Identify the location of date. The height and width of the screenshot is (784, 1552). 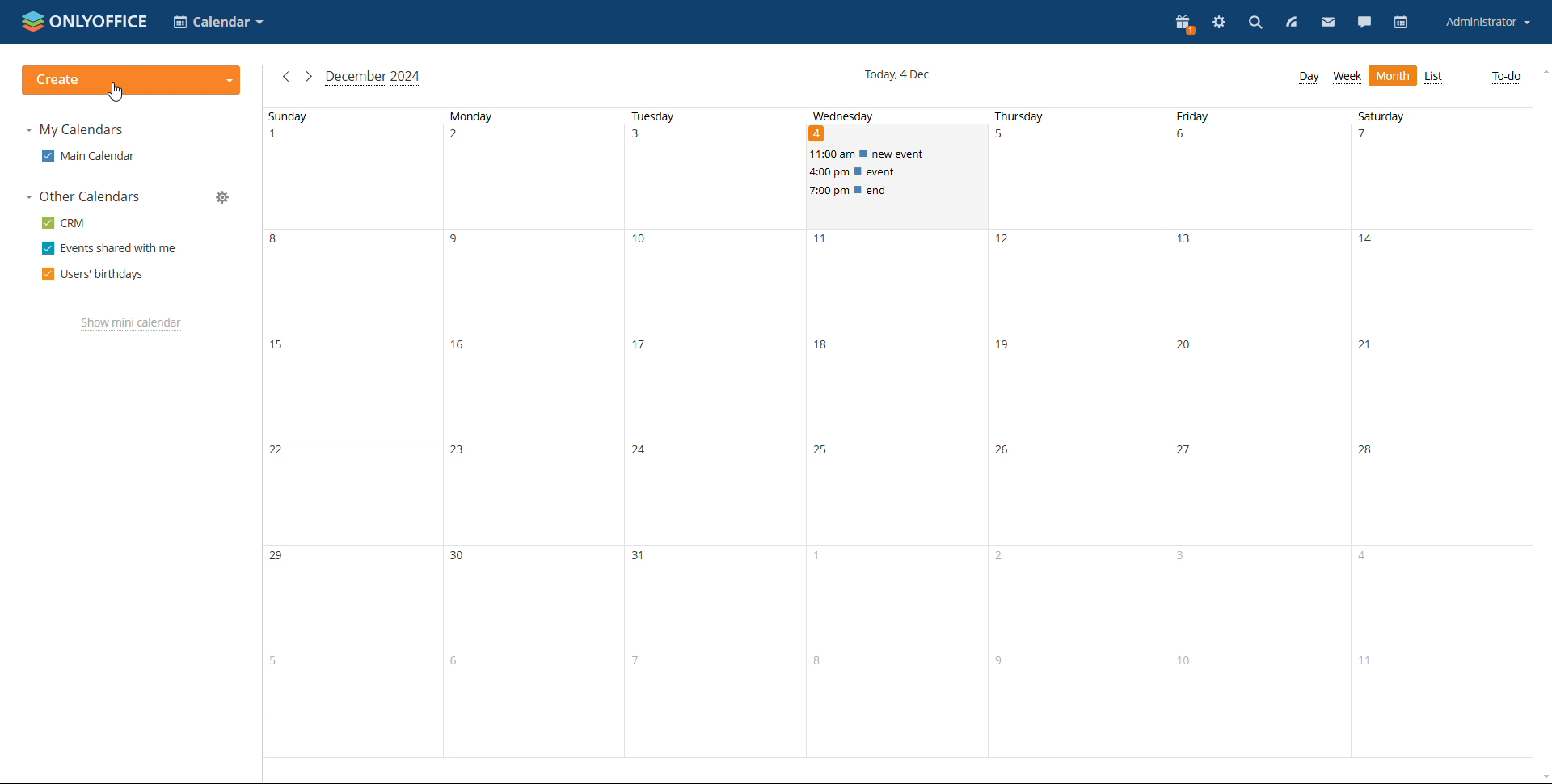
(818, 134).